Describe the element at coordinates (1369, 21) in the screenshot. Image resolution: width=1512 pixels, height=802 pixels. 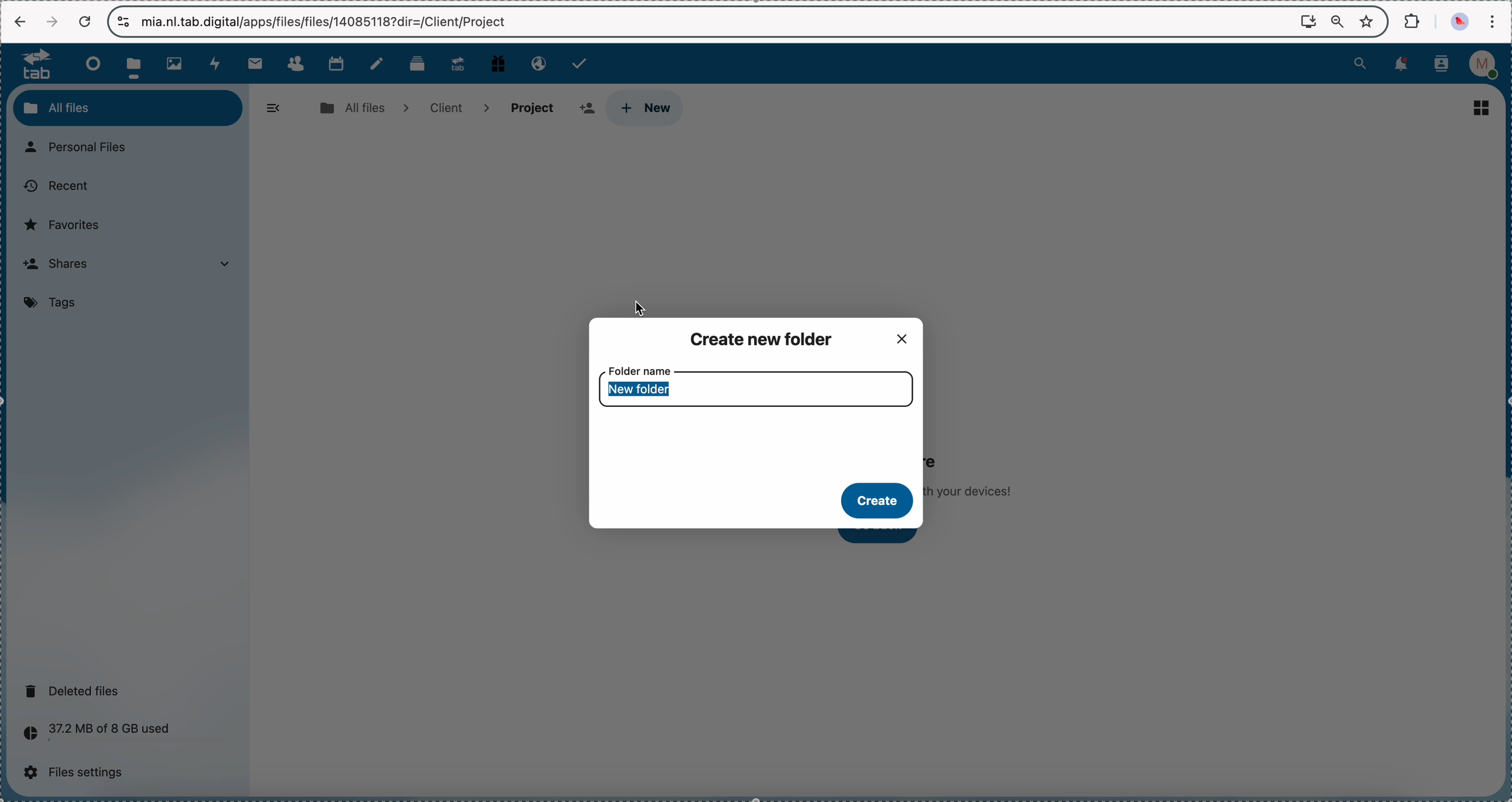
I see `favorites` at that location.